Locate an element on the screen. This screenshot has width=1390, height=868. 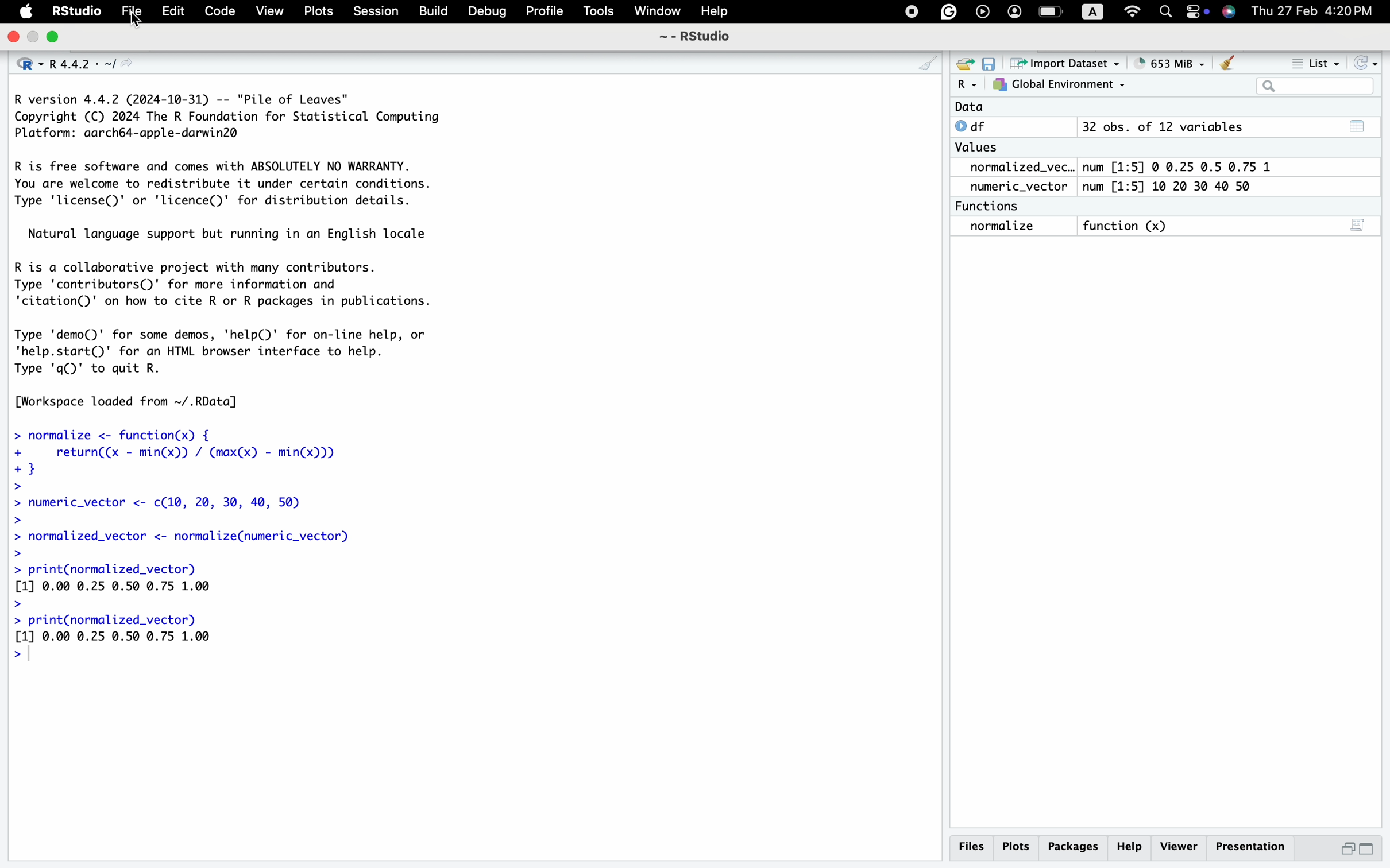
Numeric_Vector is located at coordinates (1014, 187).